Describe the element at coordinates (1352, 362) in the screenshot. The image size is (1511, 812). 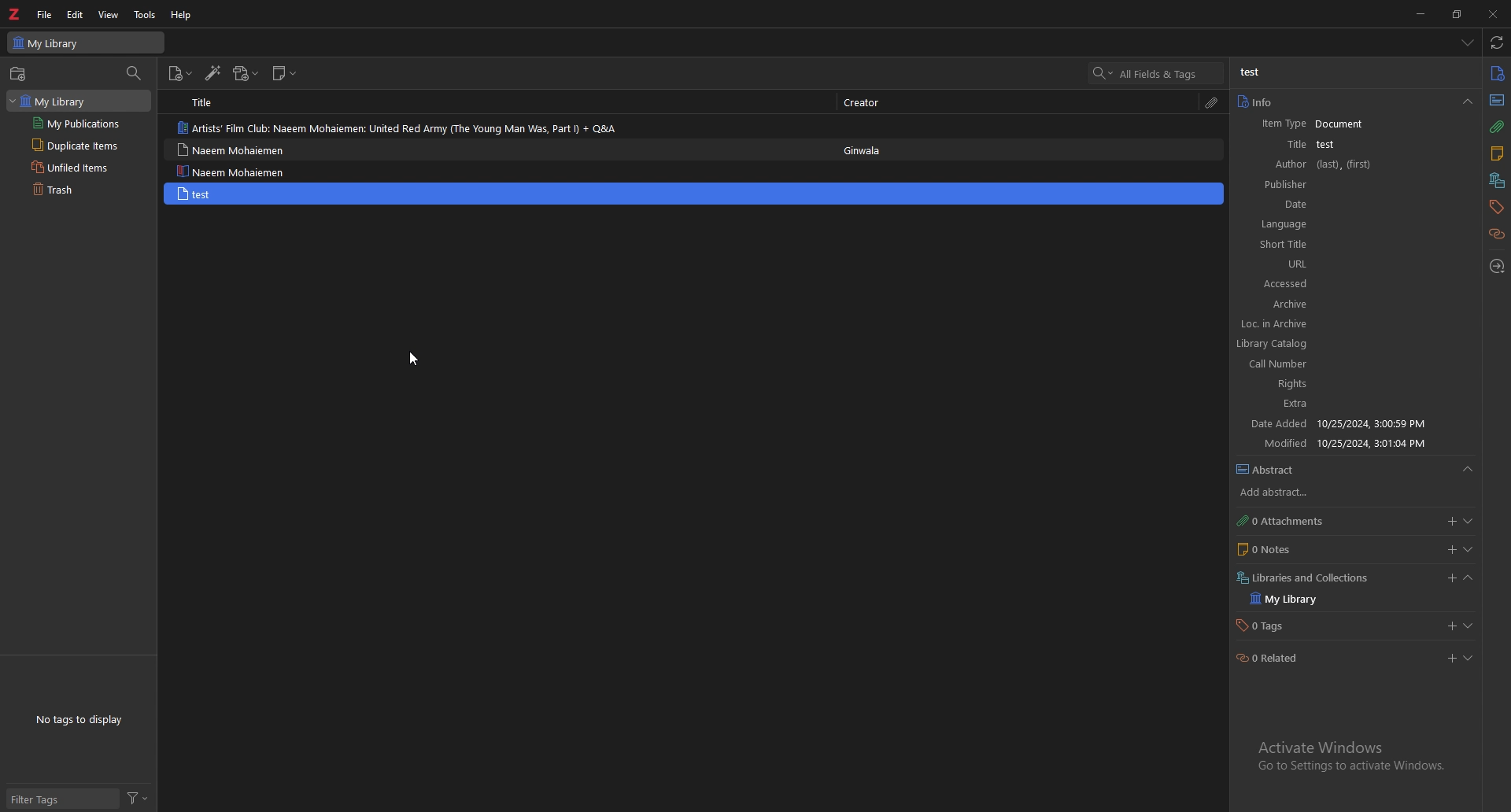
I see `call number input` at that location.